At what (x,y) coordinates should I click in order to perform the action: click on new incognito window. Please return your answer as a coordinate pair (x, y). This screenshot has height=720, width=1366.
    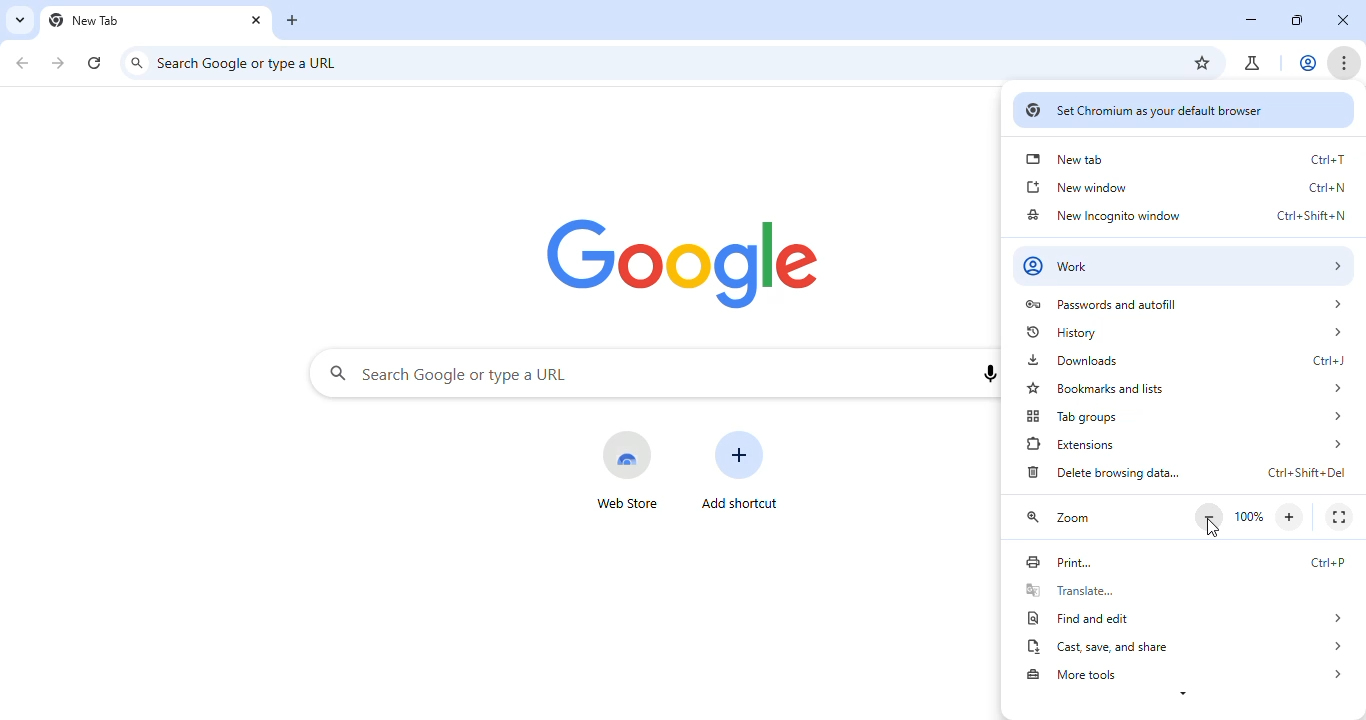
    Looking at the image, I should click on (1183, 215).